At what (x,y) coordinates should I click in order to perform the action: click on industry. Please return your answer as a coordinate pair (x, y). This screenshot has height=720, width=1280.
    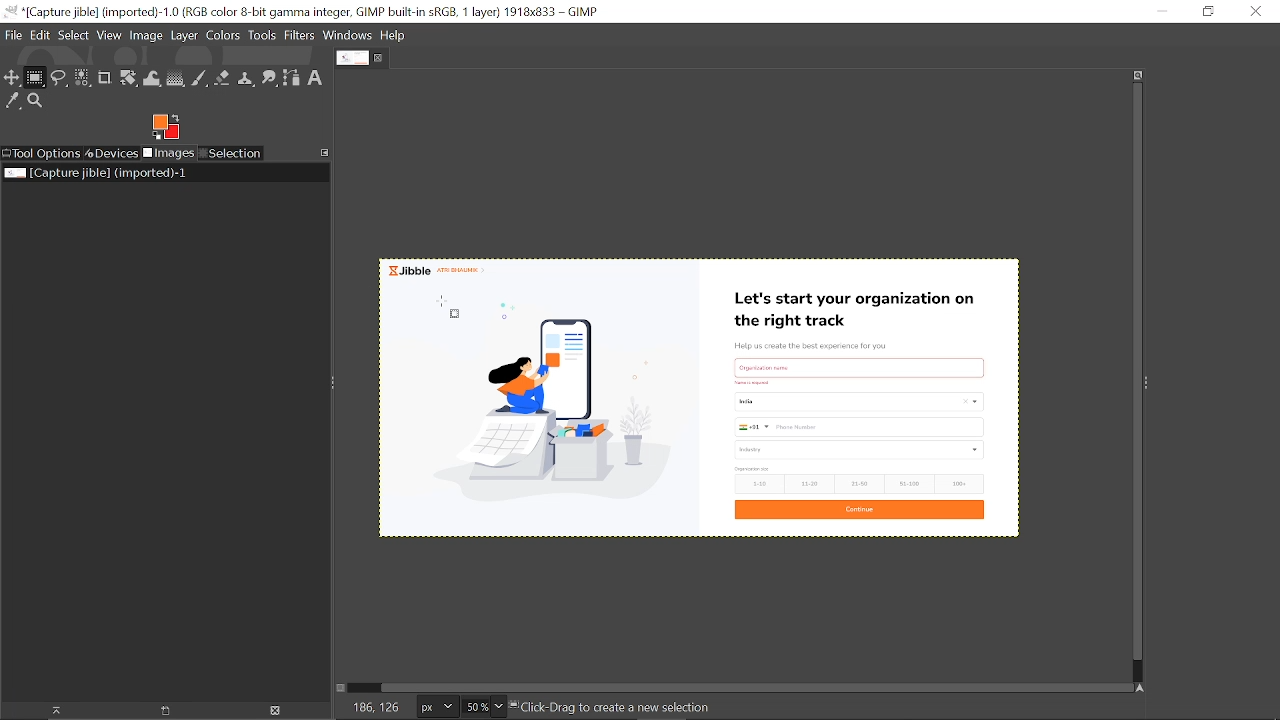
    Looking at the image, I should click on (861, 450).